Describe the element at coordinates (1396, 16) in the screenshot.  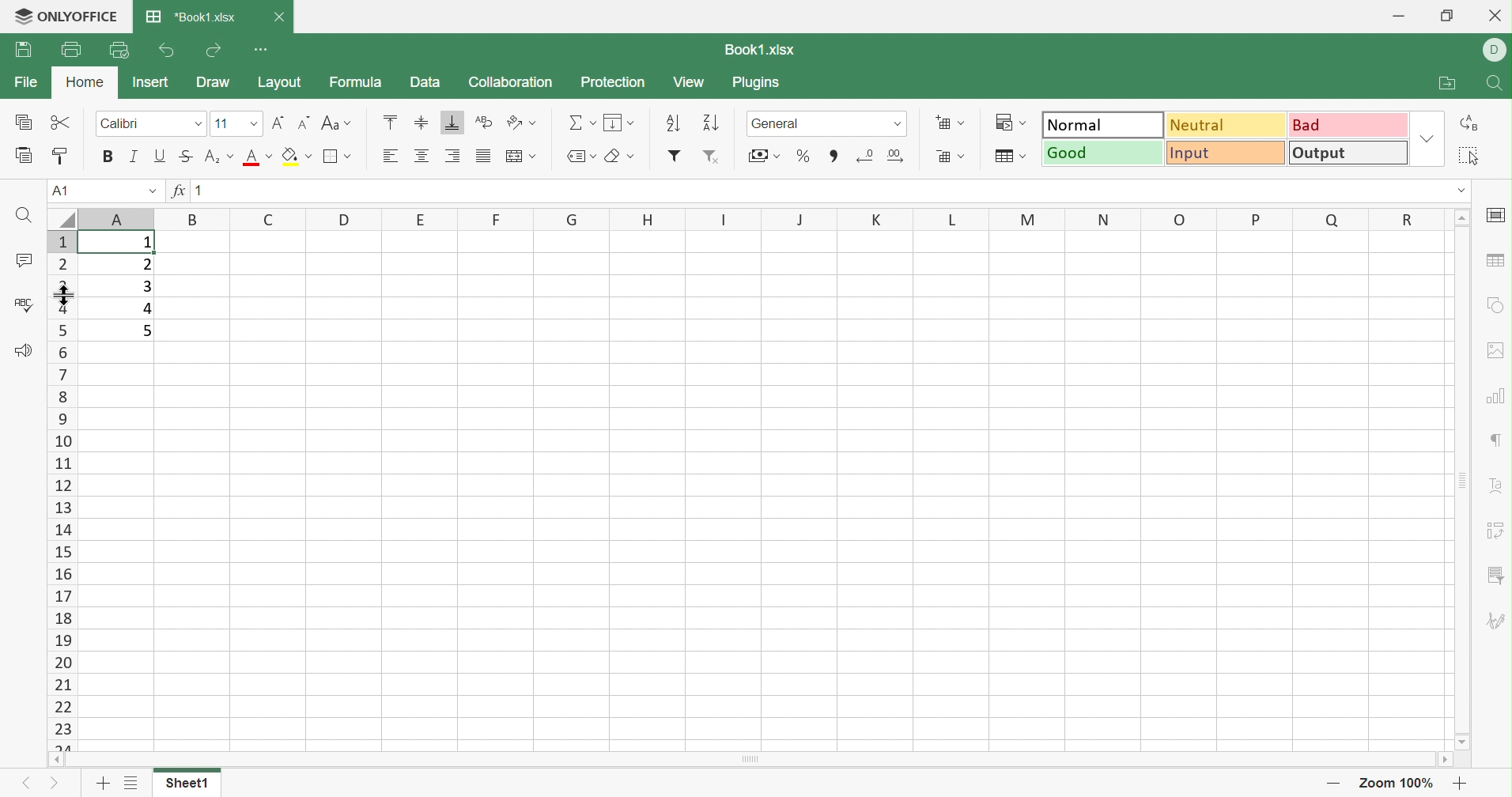
I see `Minimize` at that location.